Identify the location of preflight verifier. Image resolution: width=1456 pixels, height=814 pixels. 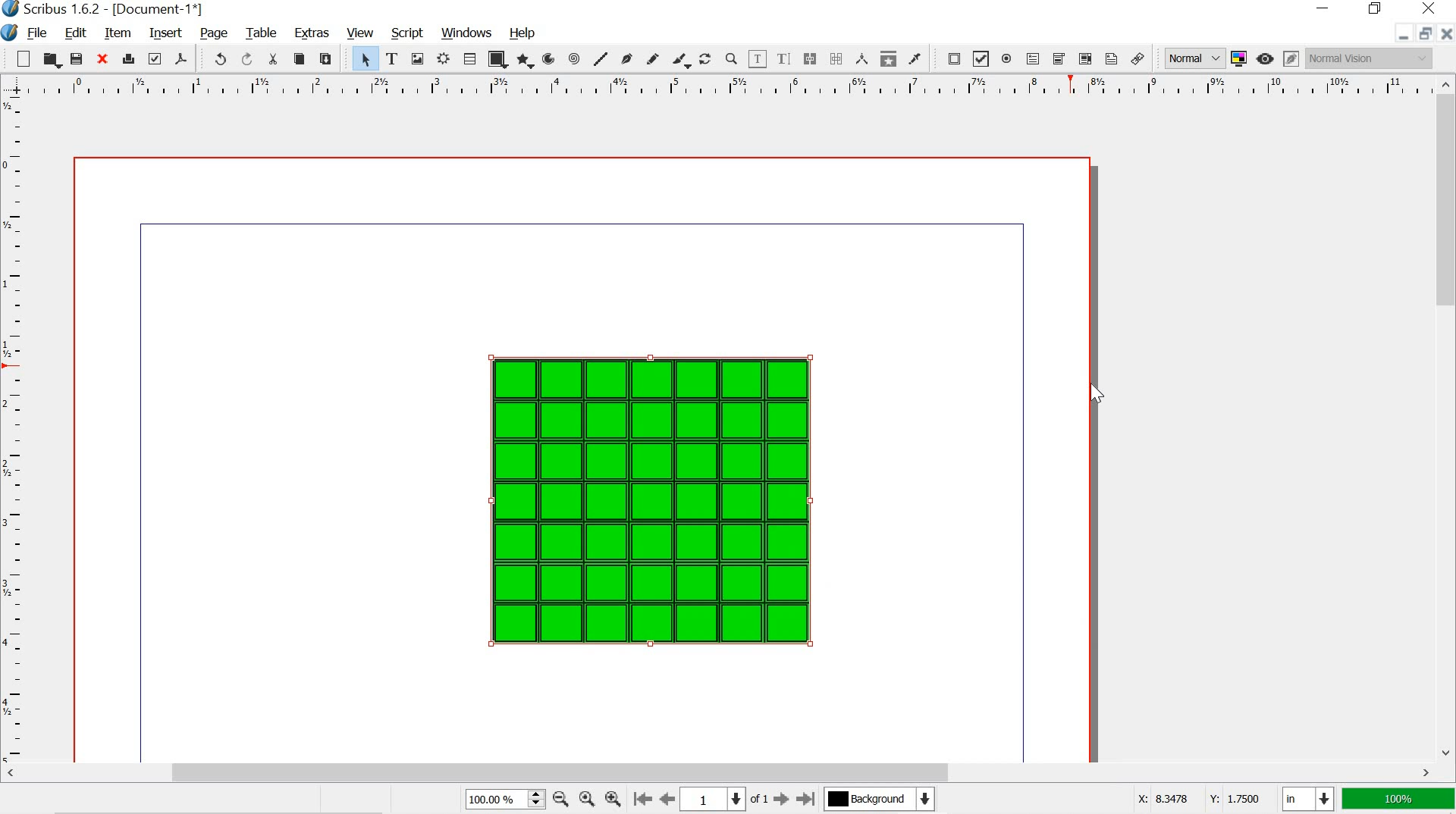
(154, 58).